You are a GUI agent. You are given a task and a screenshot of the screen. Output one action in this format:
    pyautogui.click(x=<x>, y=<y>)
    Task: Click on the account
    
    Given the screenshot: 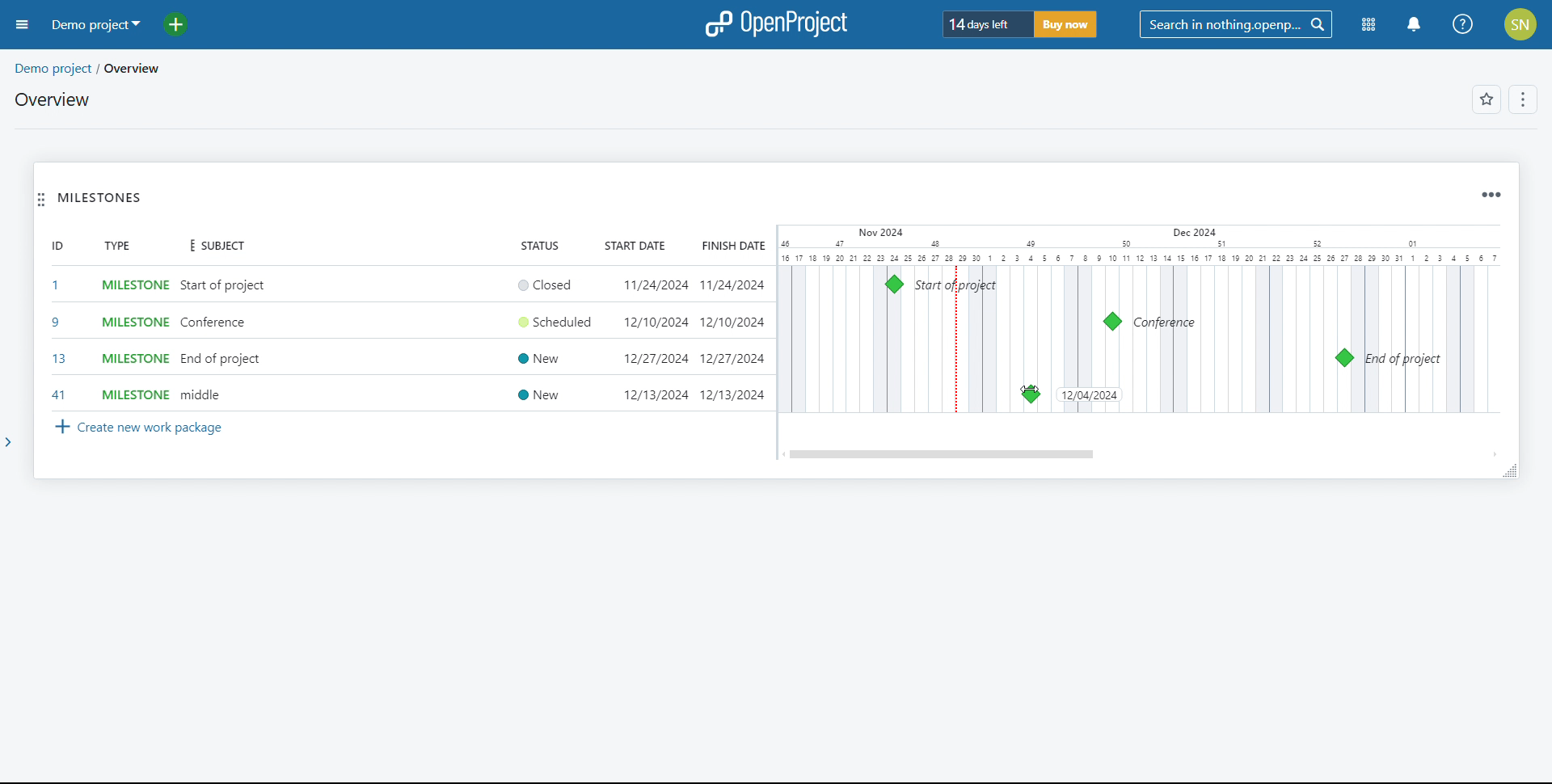 What is the action you would take?
    pyautogui.click(x=1522, y=24)
    